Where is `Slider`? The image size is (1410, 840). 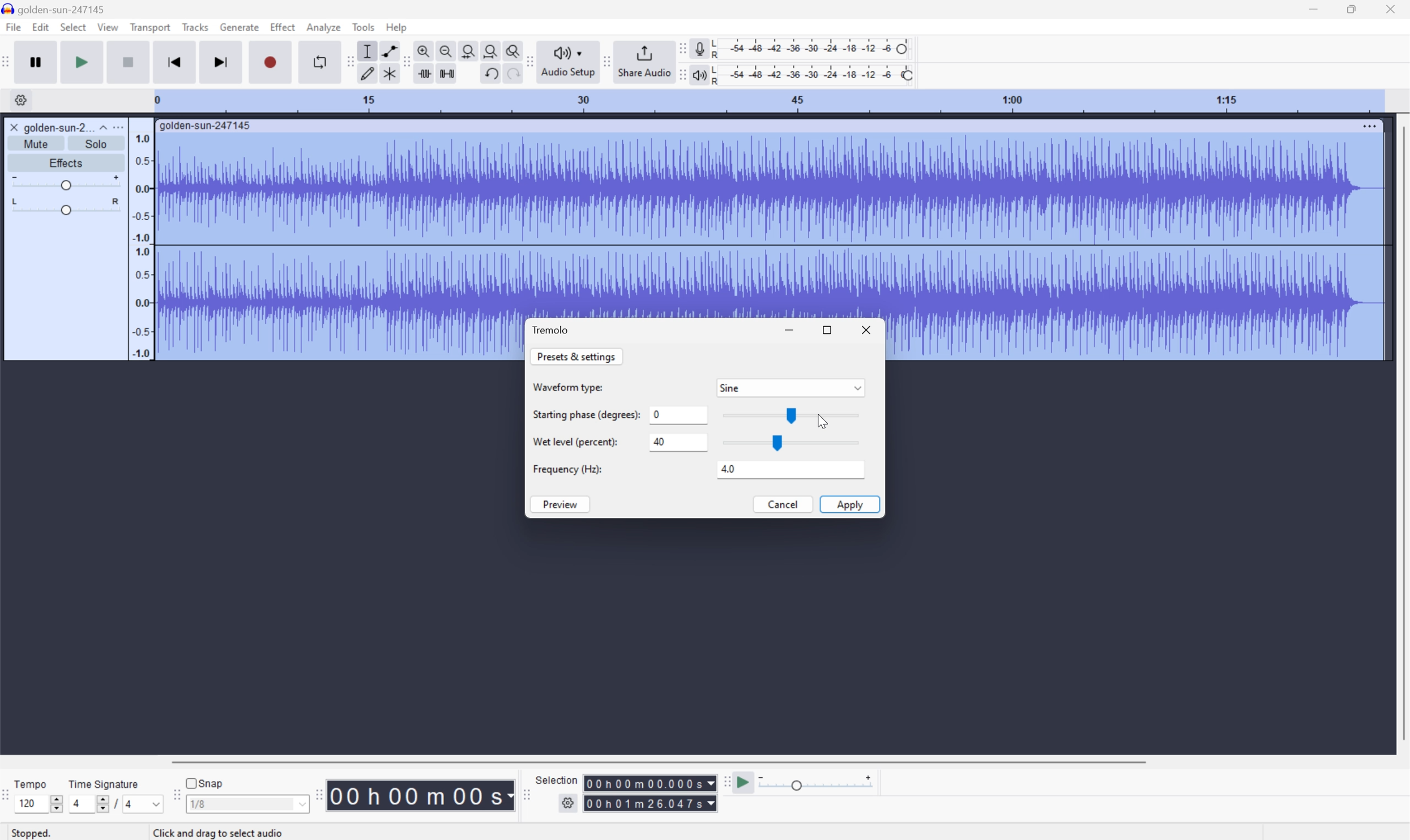
Slider is located at coordinates (62, 207).